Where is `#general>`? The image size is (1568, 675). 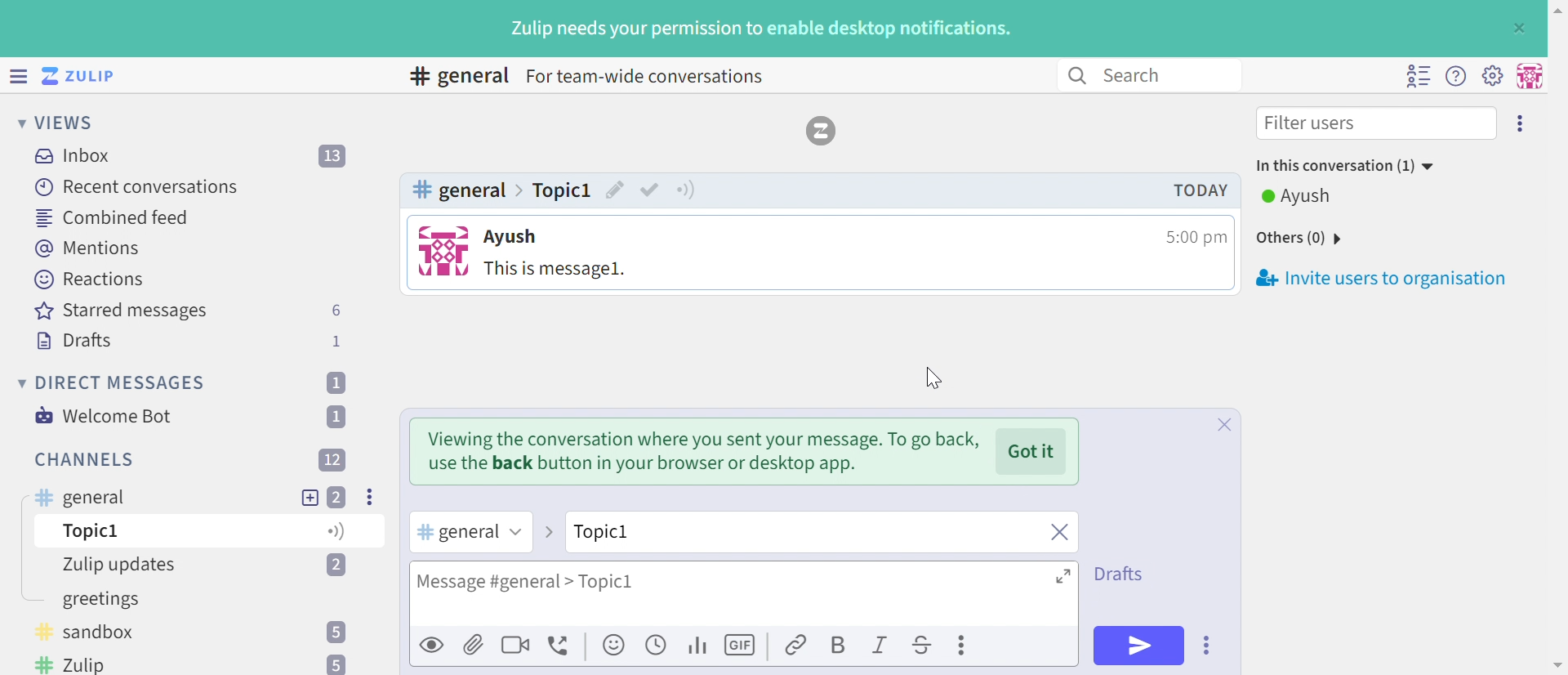
#general> is located at coordinates (470, 192).